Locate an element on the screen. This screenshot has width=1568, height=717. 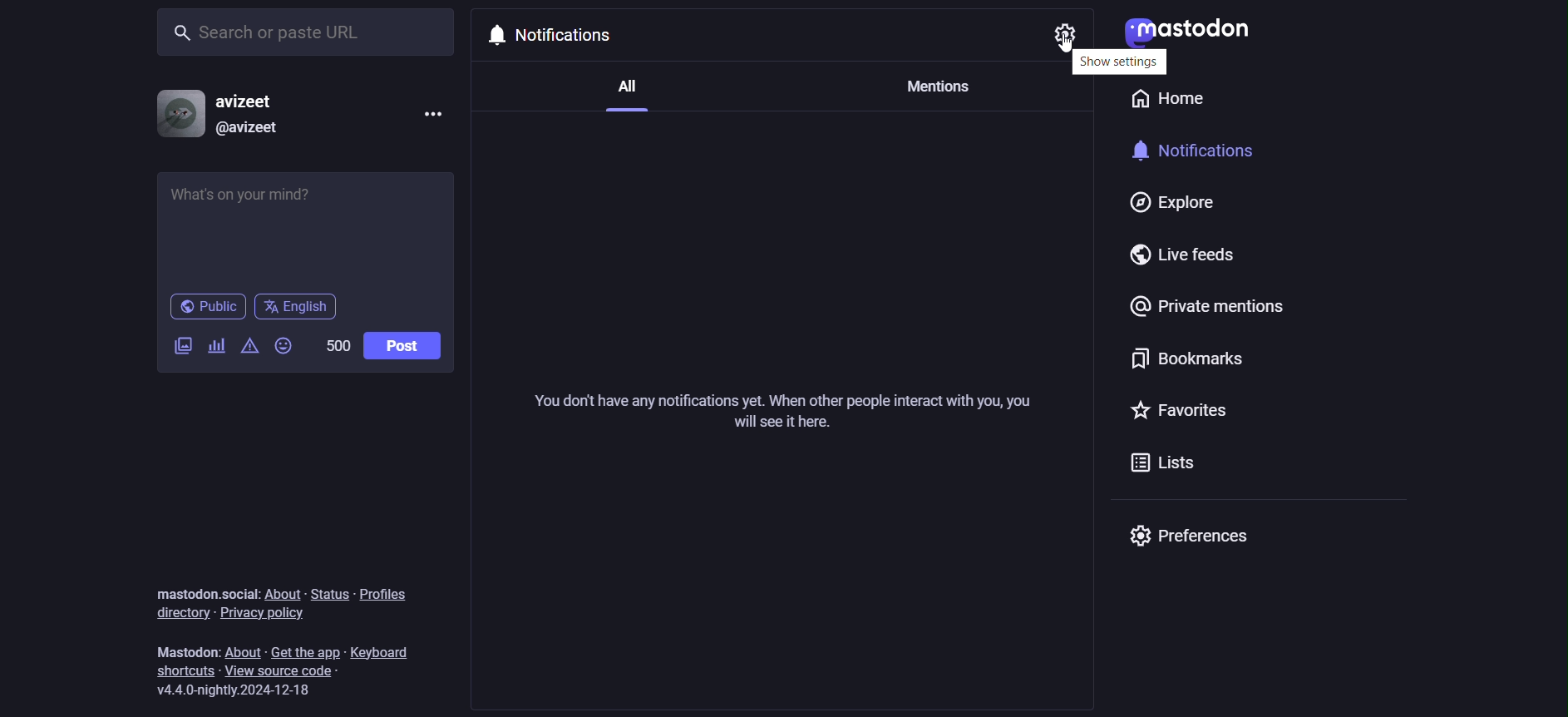
notifications is located at coordinates (573, 37).